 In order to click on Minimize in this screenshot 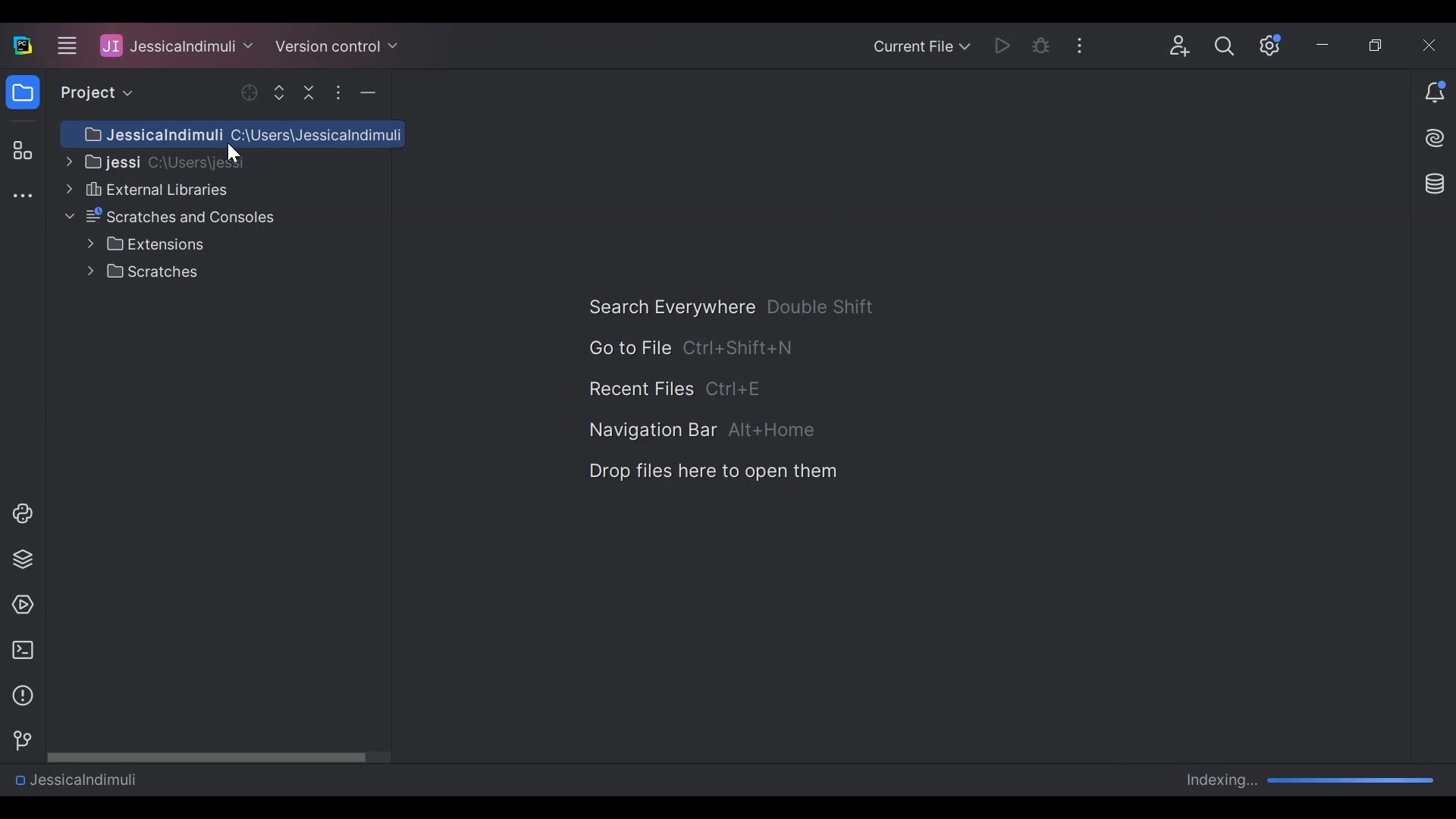, I will do `click(1326, 47)`.